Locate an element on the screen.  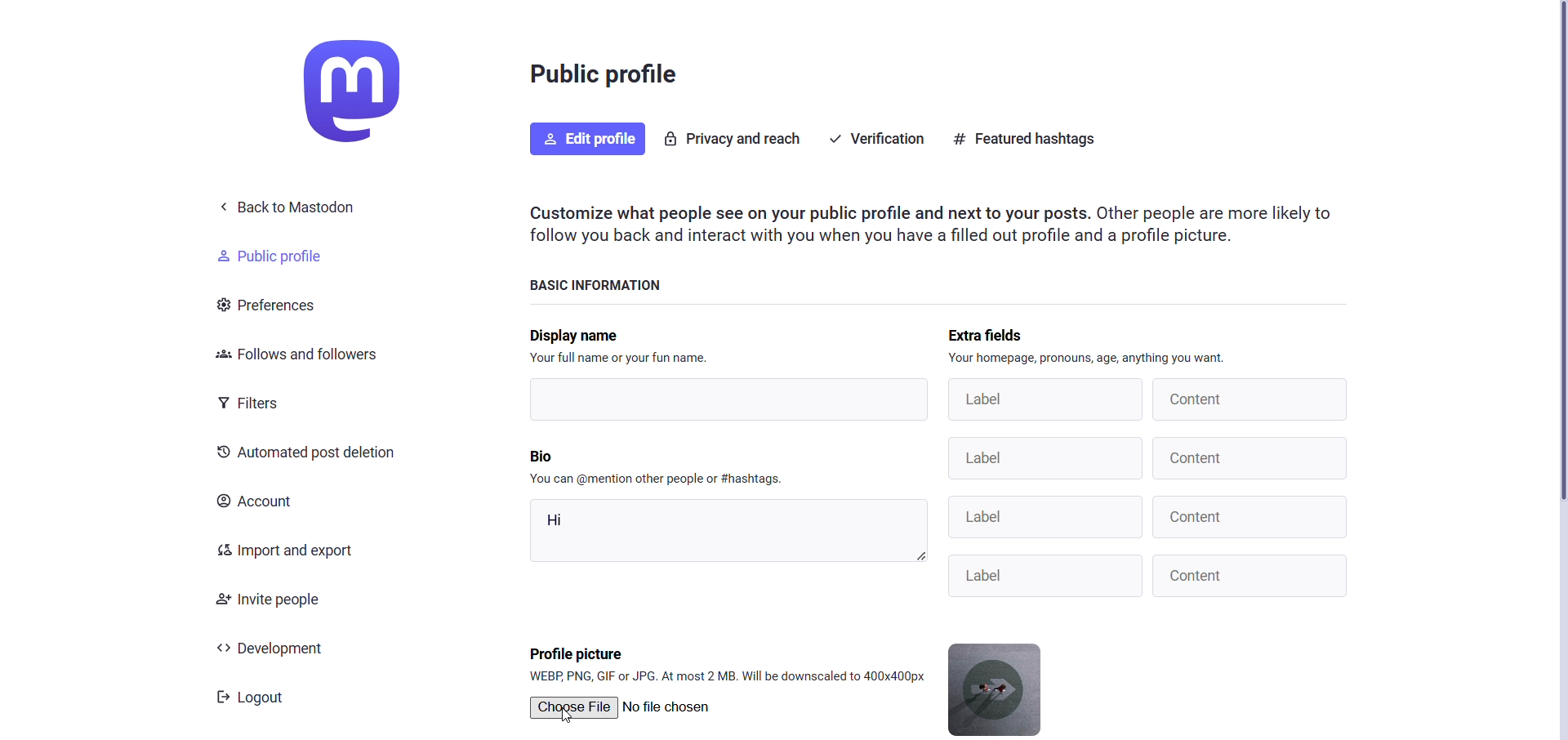
Label is located at coordinates (1043, 458).